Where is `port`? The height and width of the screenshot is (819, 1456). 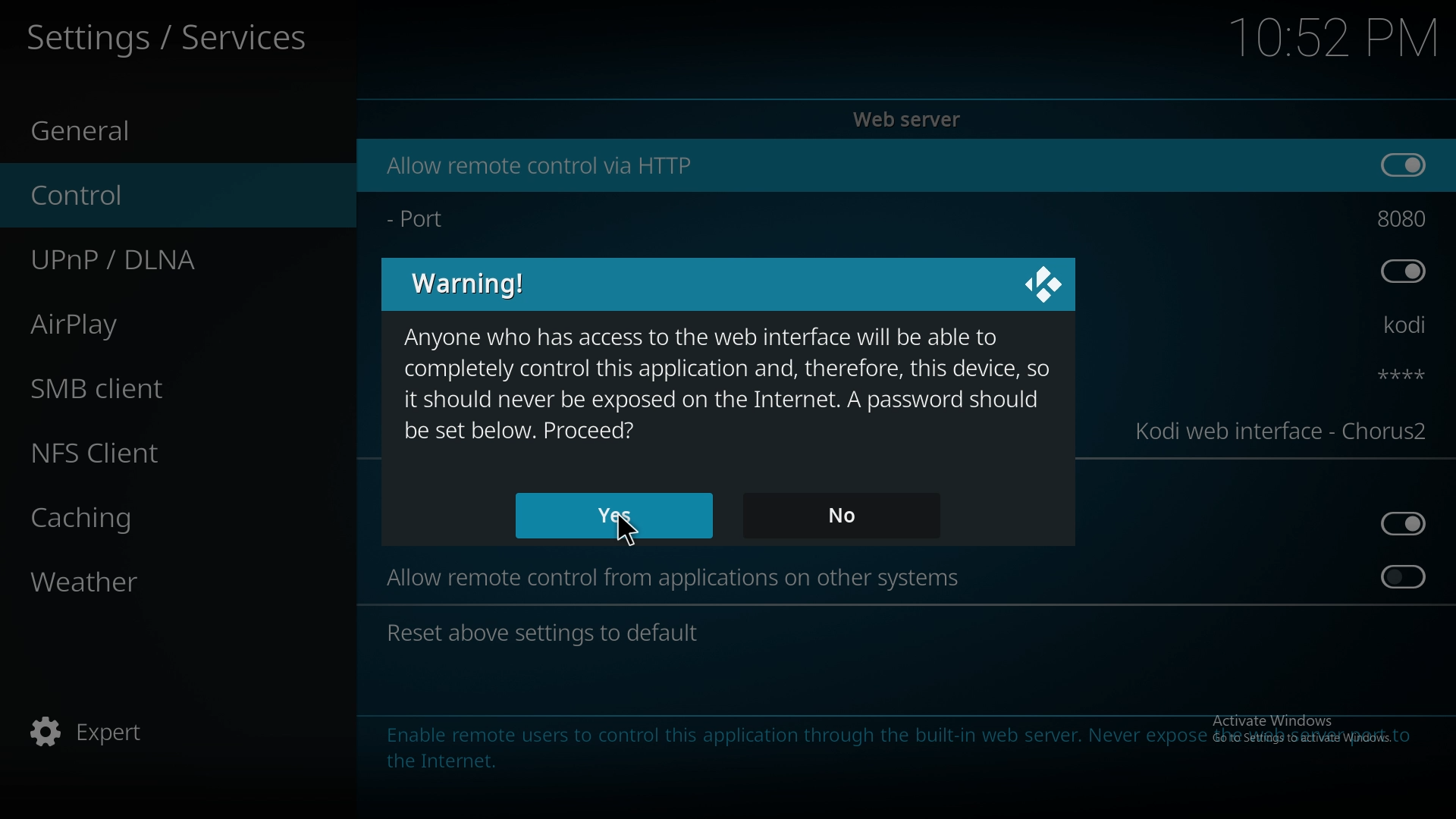 port is located at coordinates (453, 221).